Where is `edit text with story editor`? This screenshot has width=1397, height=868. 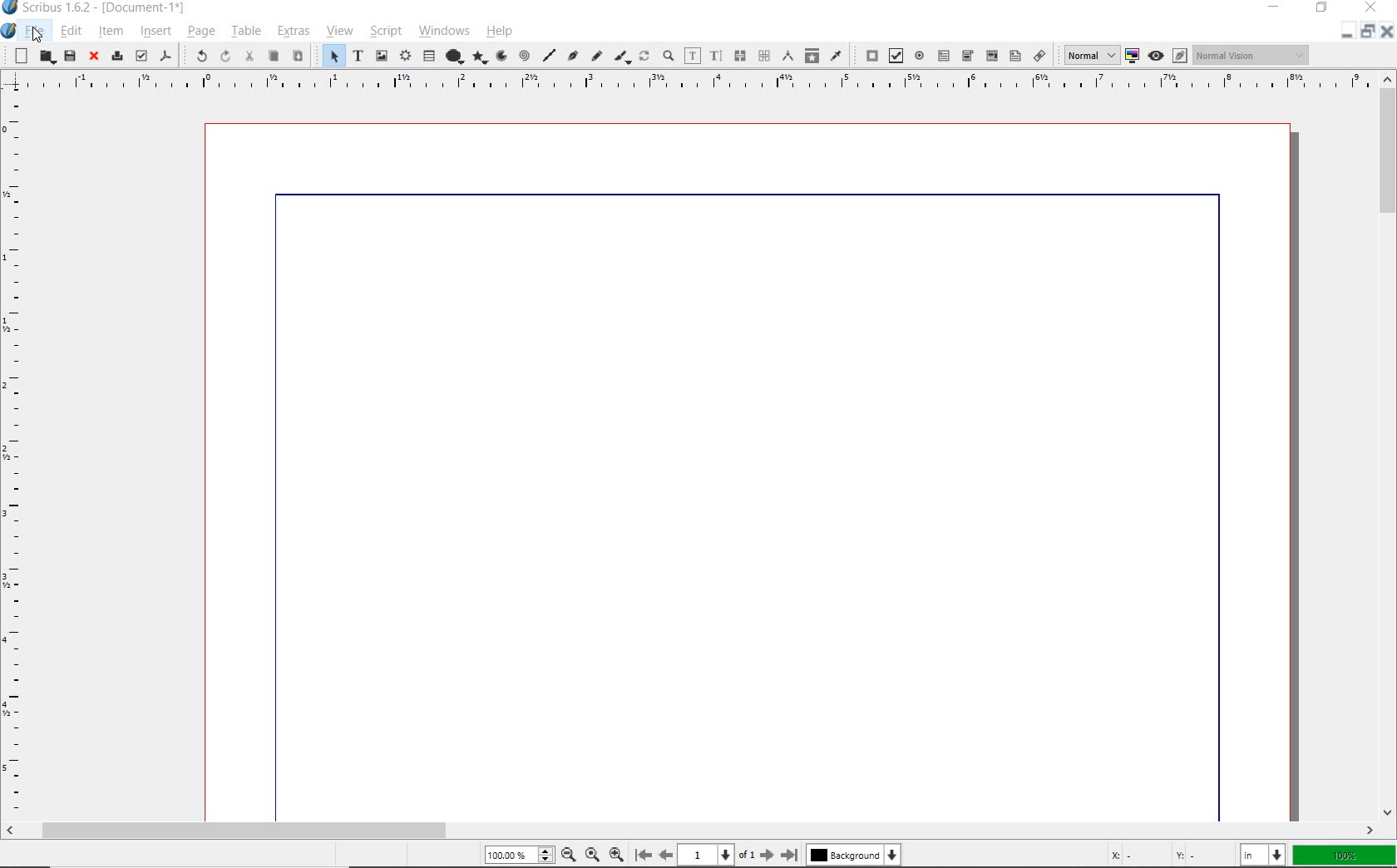
edit text with story editor is located at coordinates (716, 56).